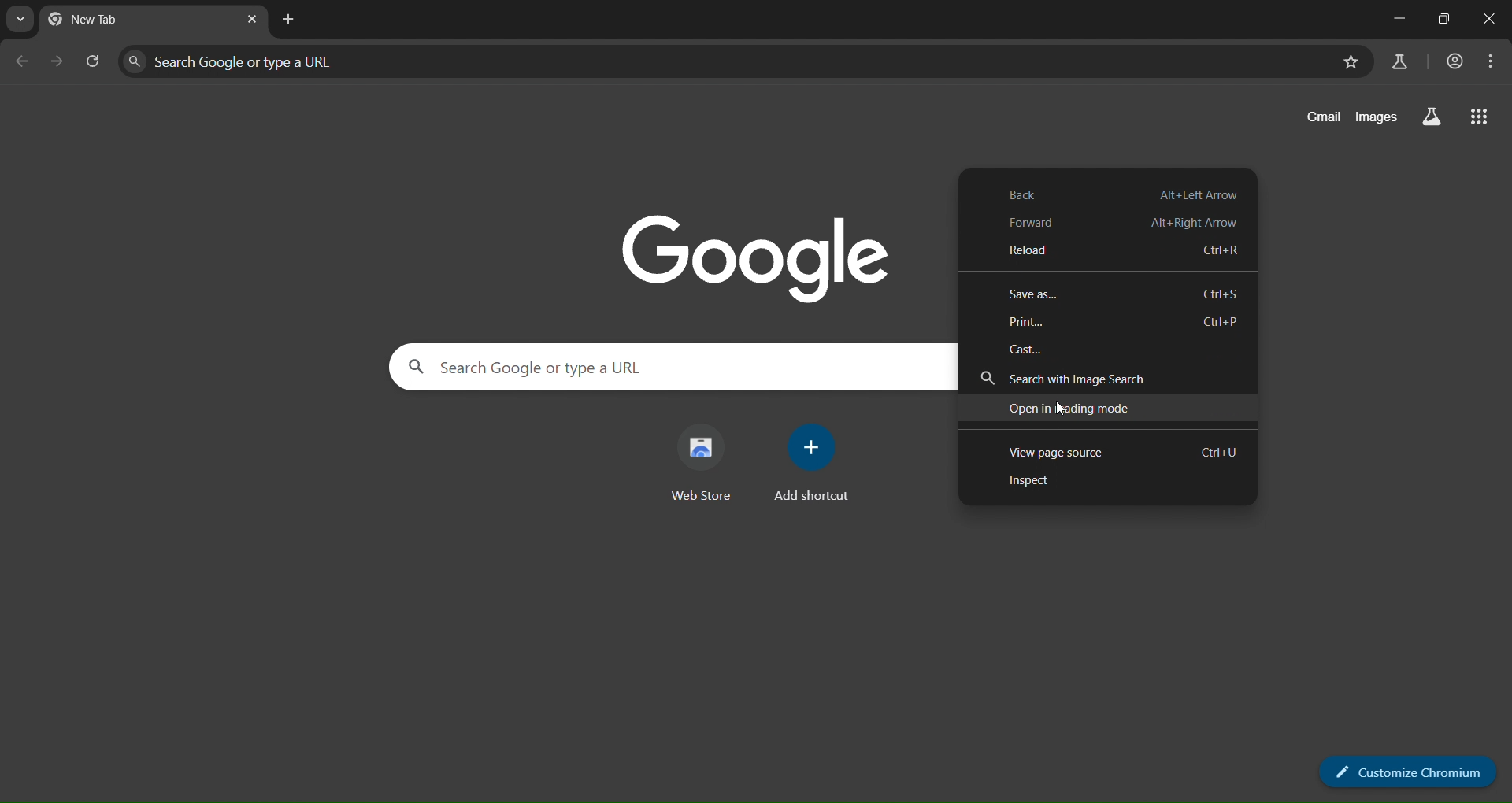 The width and height of the screenshot is (1512, 803). What do you see at coordinates (295, 58) in the screenshot?
I see `search panel` at bounding box center [295, 58].